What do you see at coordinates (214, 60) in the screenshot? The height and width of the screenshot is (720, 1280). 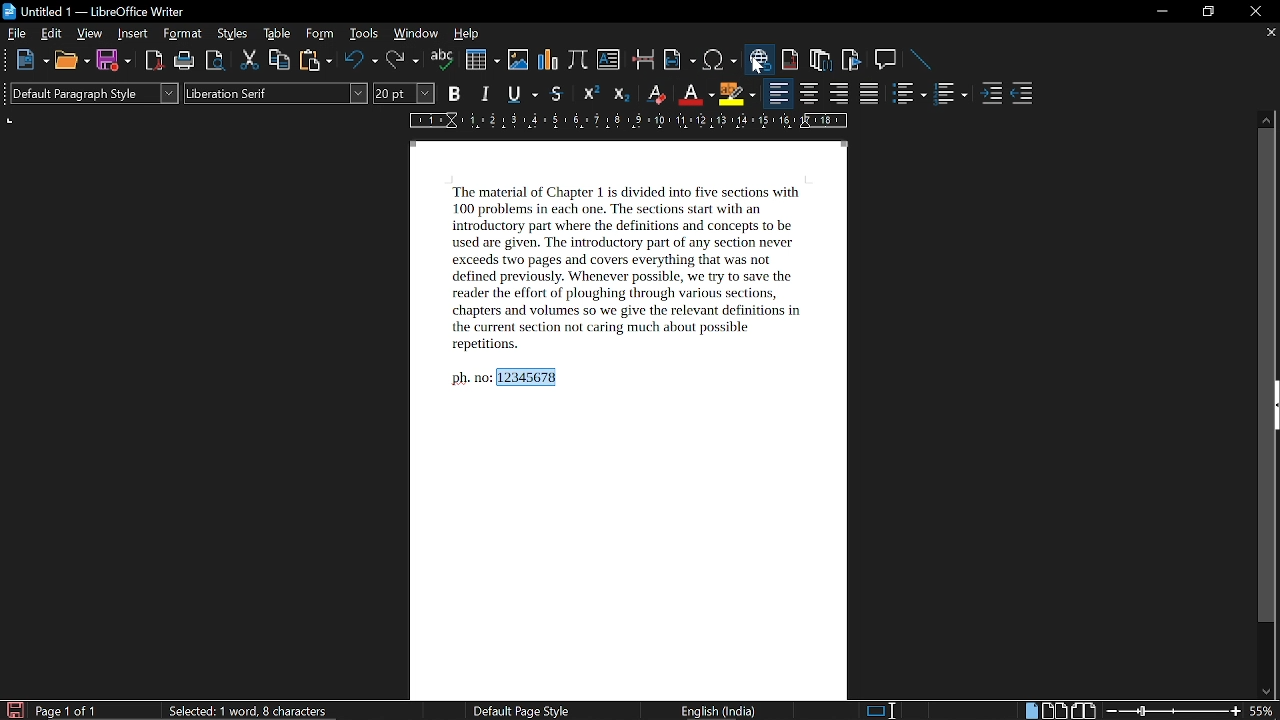 I see `toggle print preview` at bounding box center [214, 60].